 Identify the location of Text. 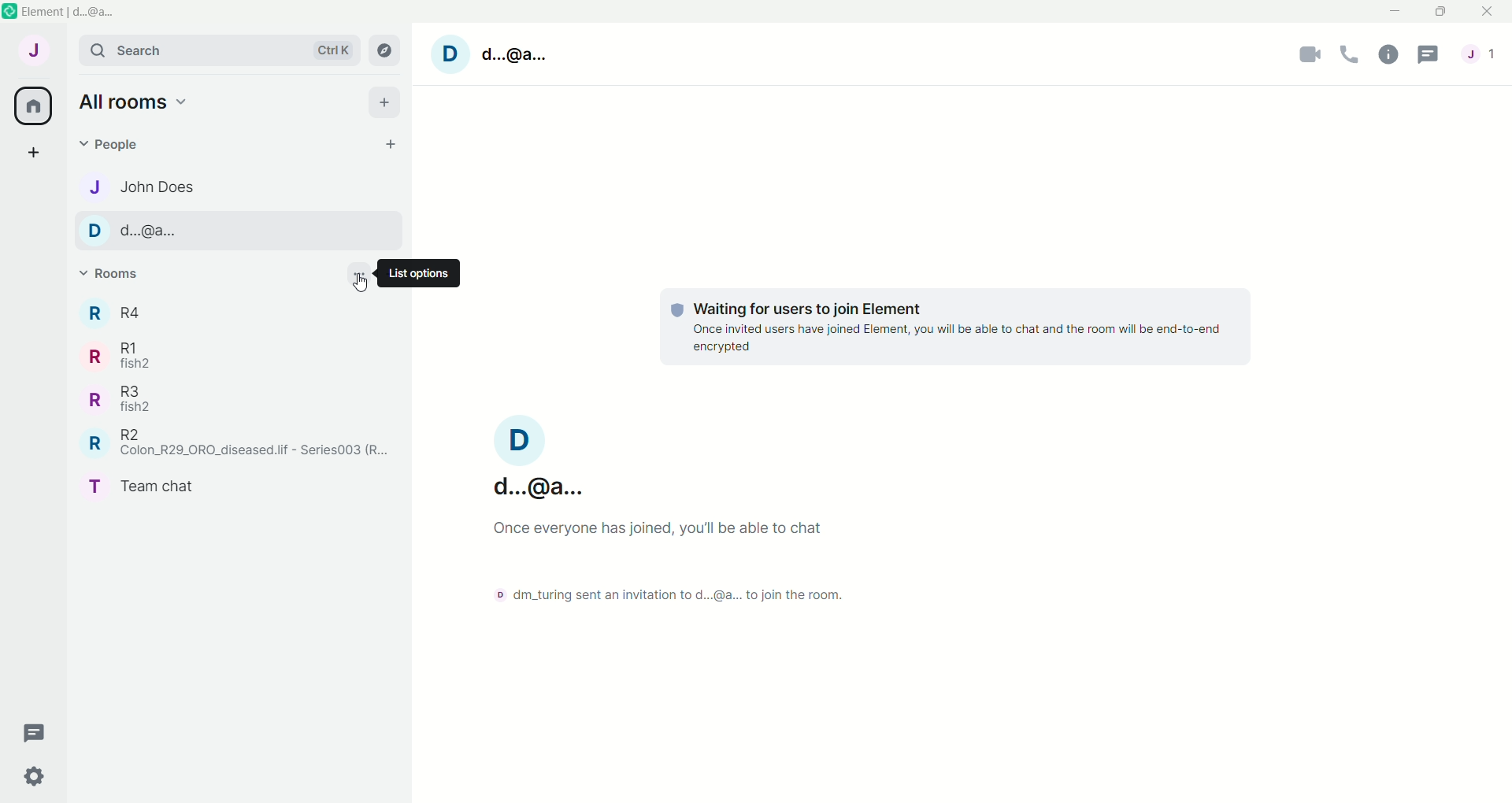
(678, 531).